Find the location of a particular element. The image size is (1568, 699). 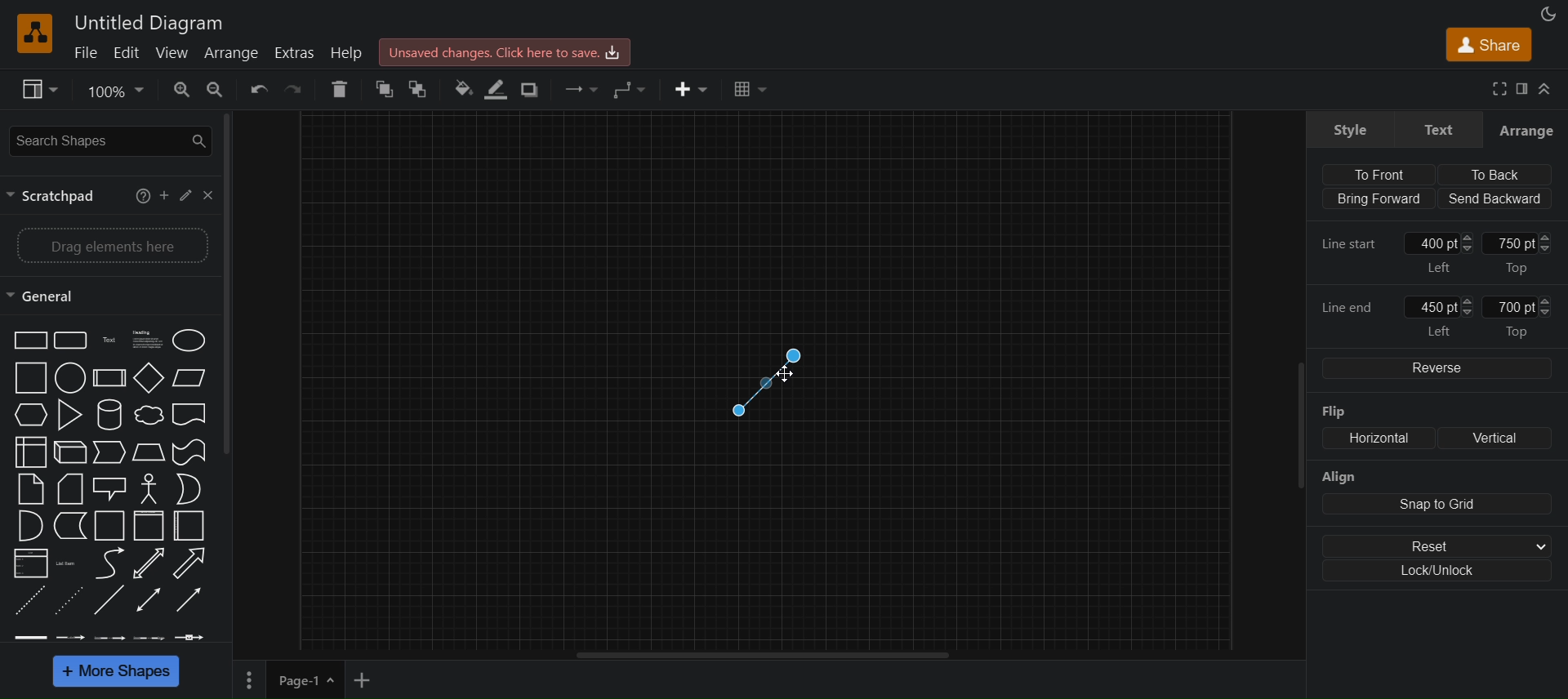

add is located at coordinates (163, 194).